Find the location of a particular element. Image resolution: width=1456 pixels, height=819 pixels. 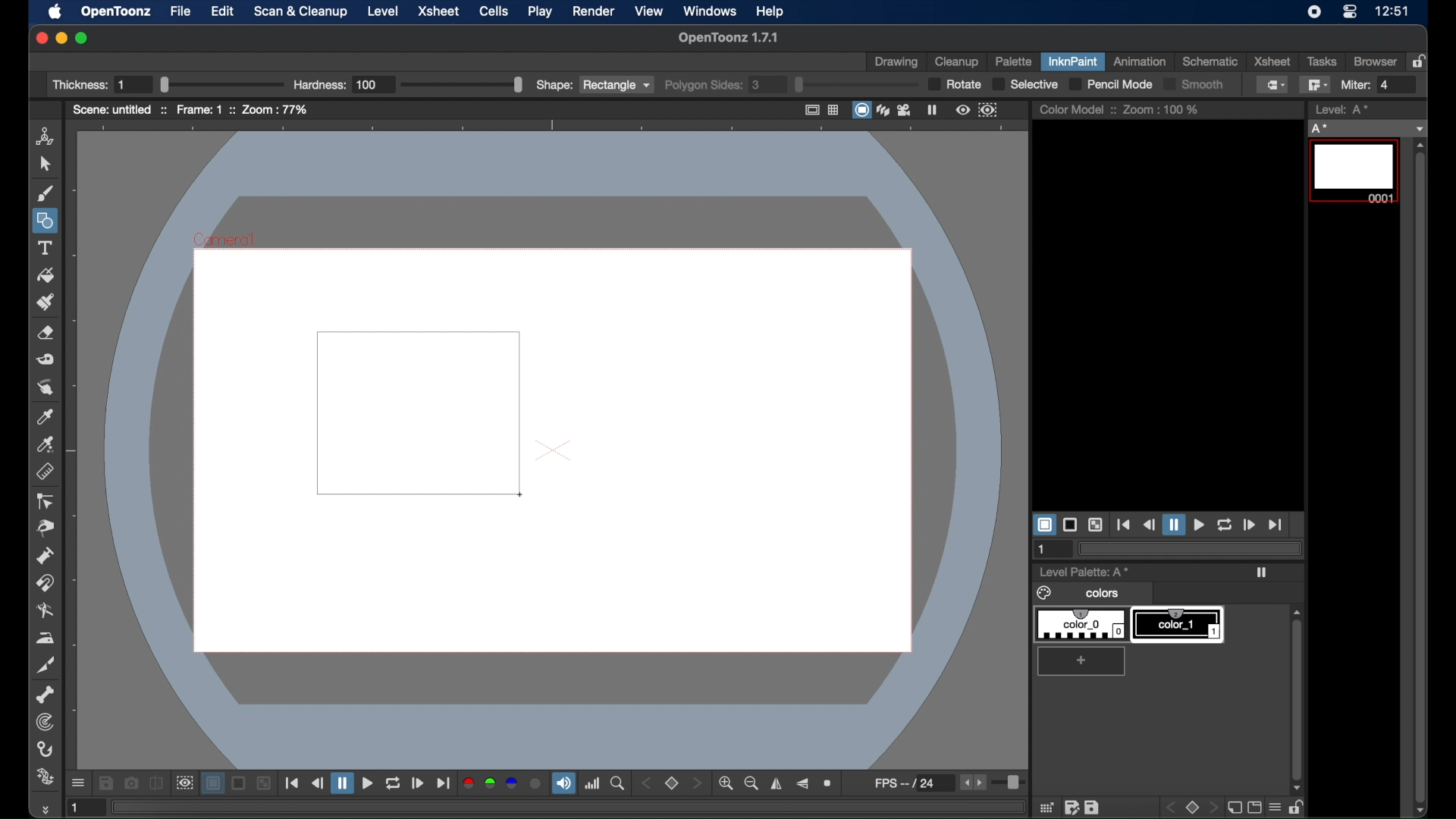

jump to end is located at coordinates (443, 783).